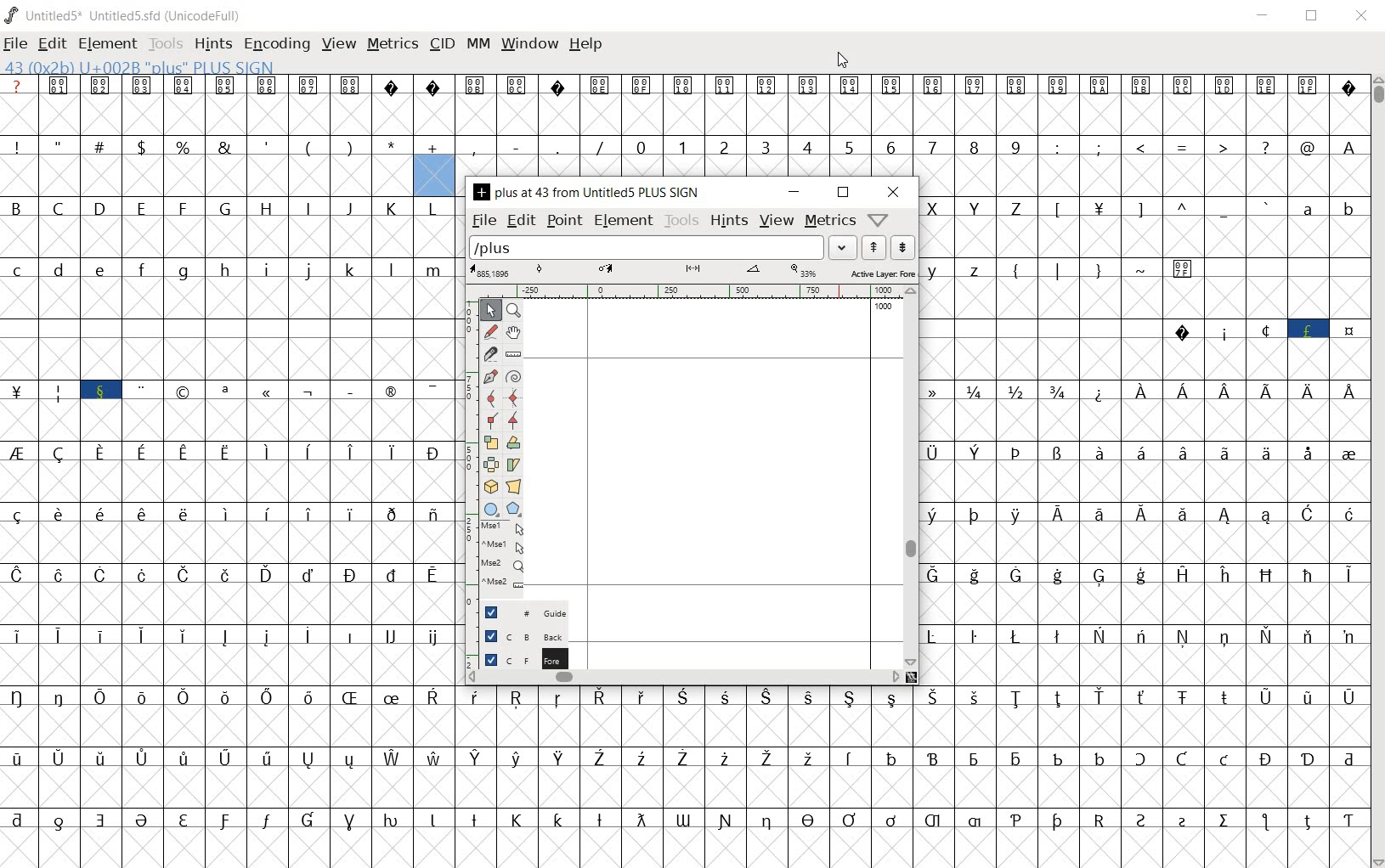 Image resolution: width=1385 pixels, height=868 pixels. What do you see at coordinates (293, 412) in the screenshot?
I see `special characters` at bounding box center [293, 412].